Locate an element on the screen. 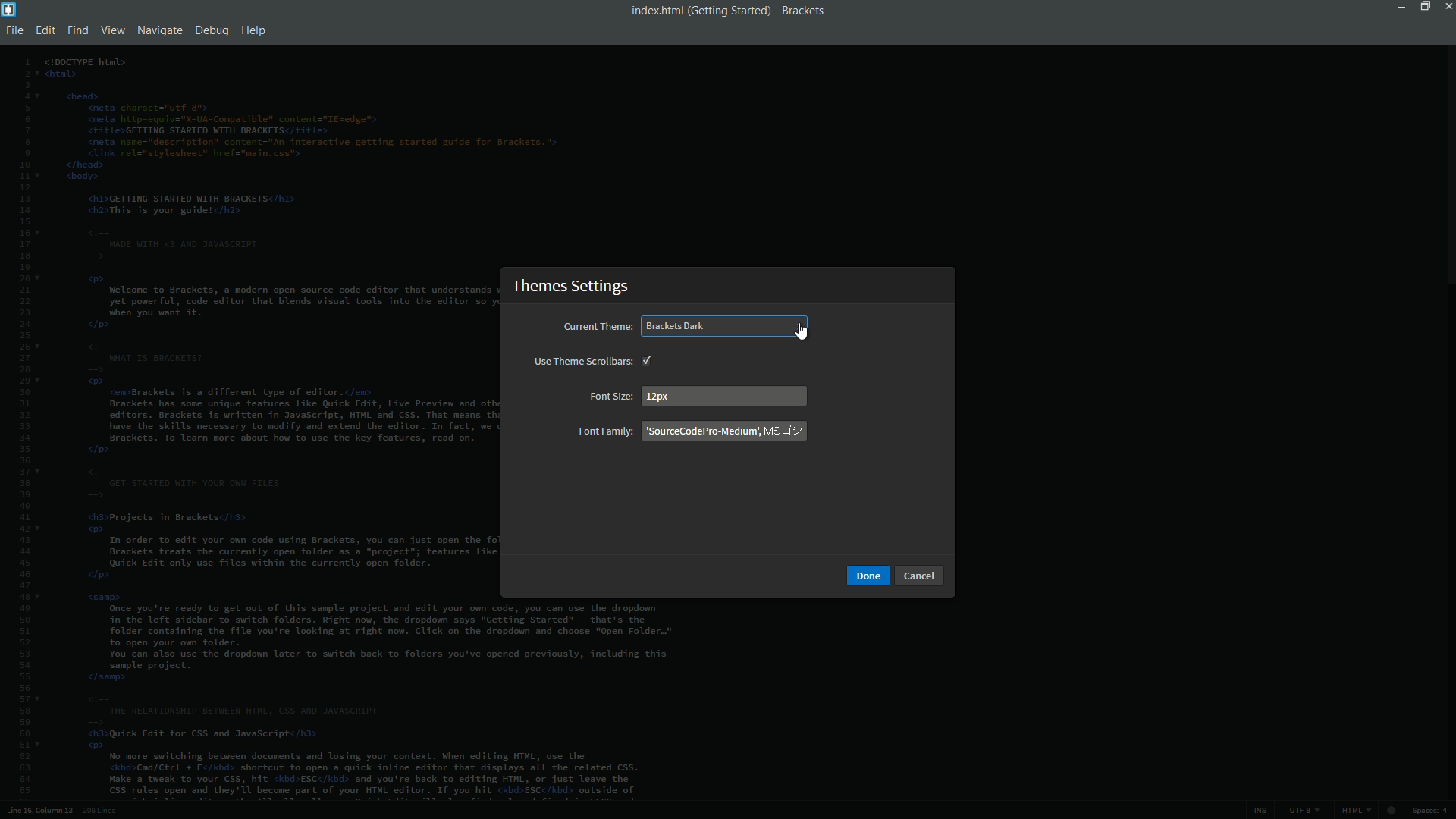  font family name is located at coordinates (723, 430).